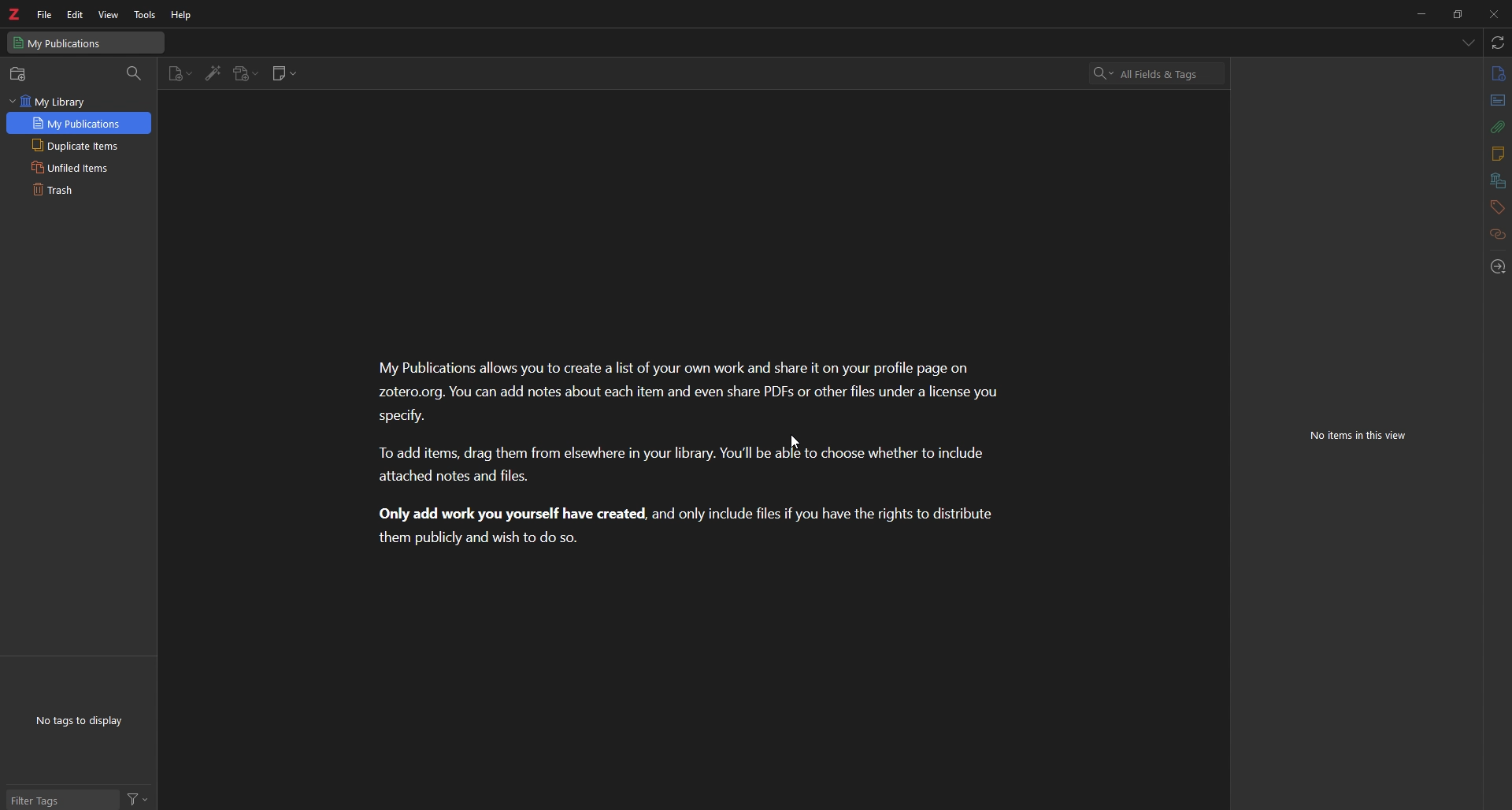  What do you see at coordinates (1466, 40) in the screenshot?
I see `List all tabs` at bounding box center [1466, 40].